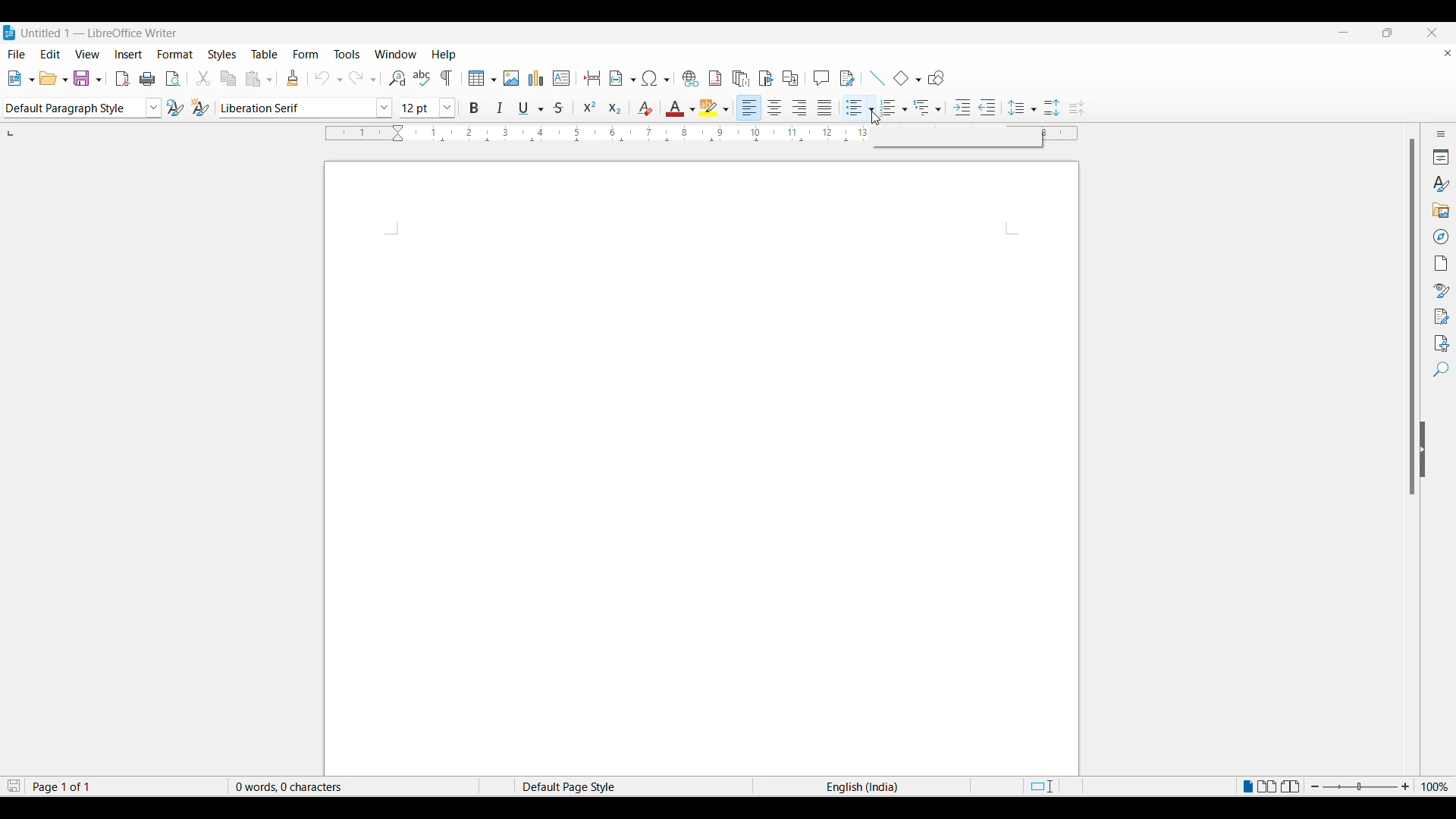  I want to click on find and replace, so click(394, 78).